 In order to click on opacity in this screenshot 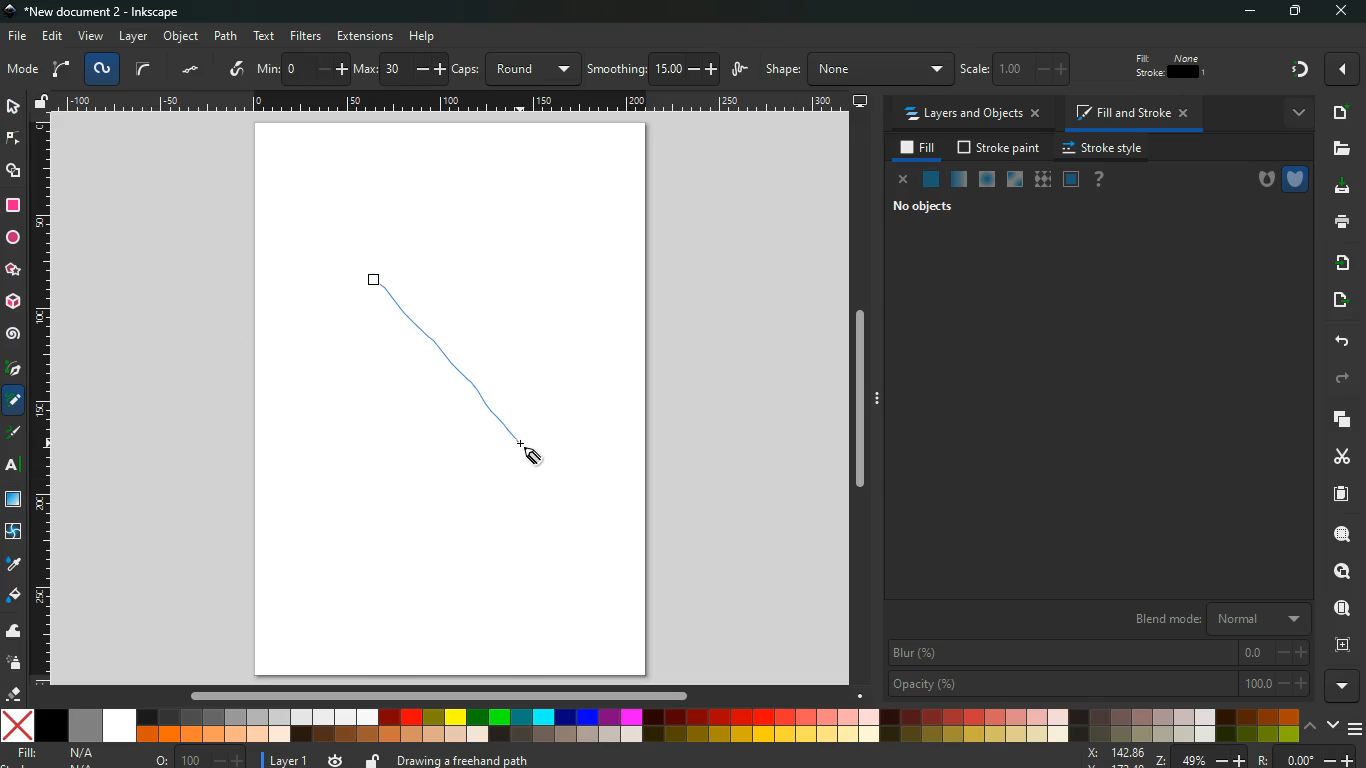, I will do `click(958, 178)`.